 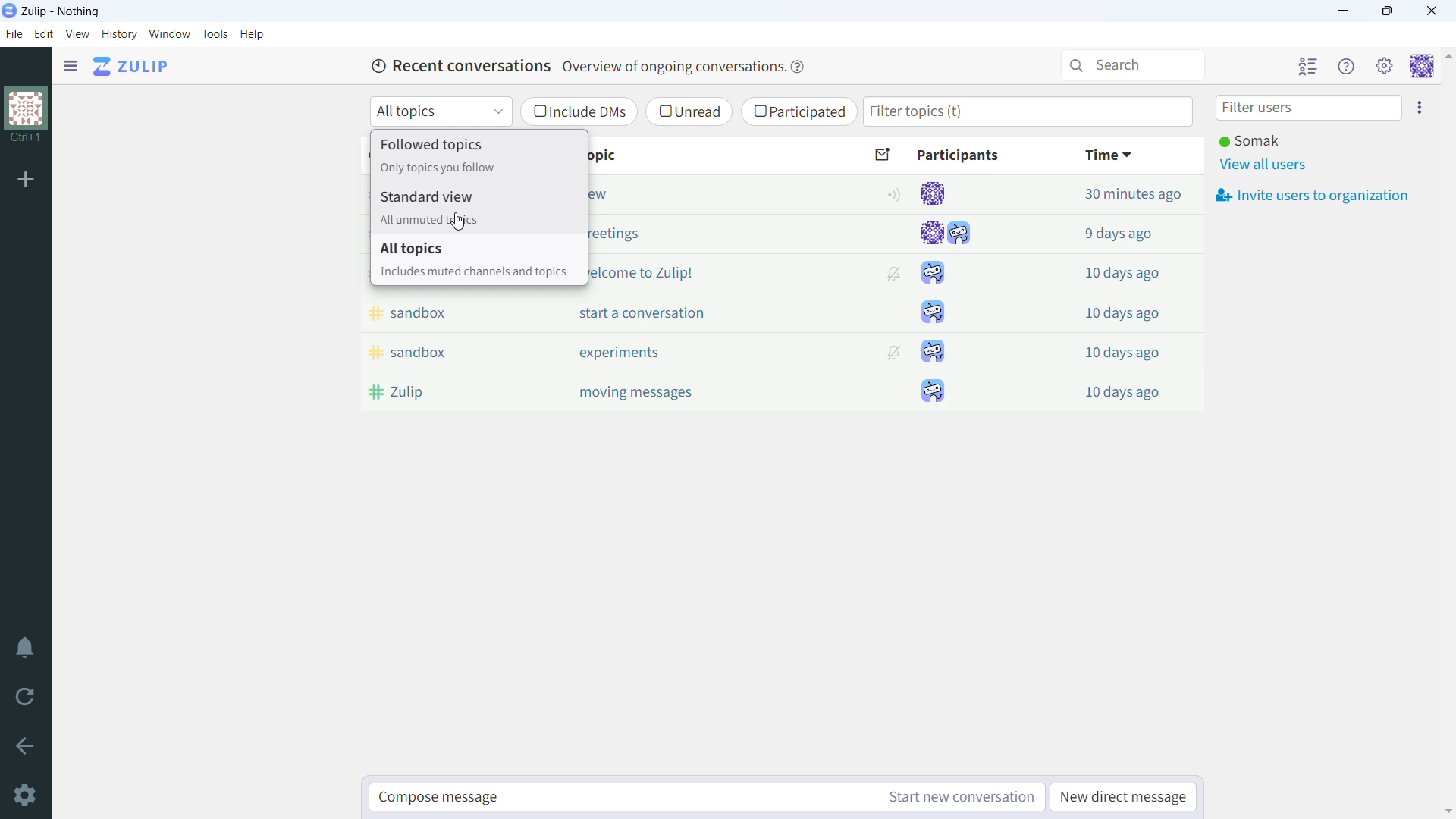 What do you see at coordinates (671, 67) in the screenshot?
I see `Overview of ongoing conversations` at bounding box center [671, 67].